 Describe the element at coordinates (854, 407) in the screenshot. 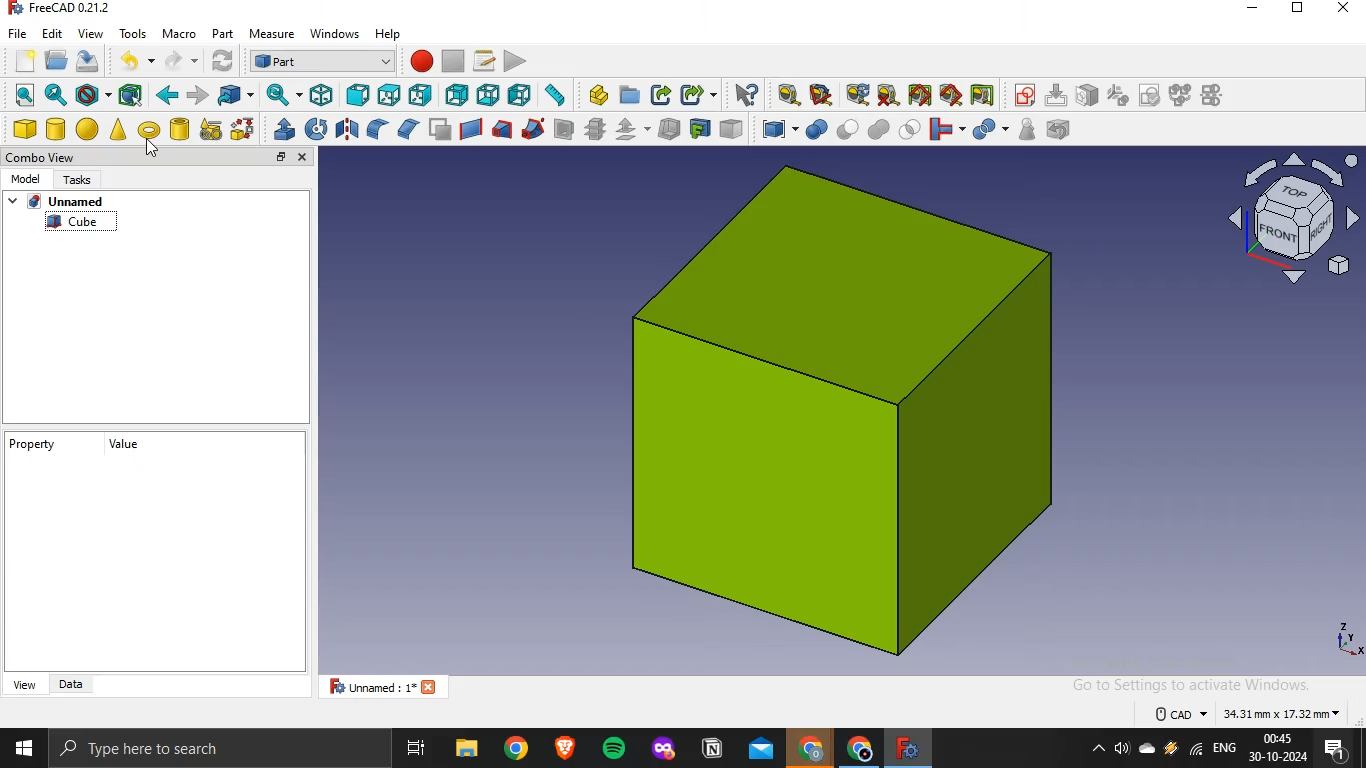

I see `image` at that location.